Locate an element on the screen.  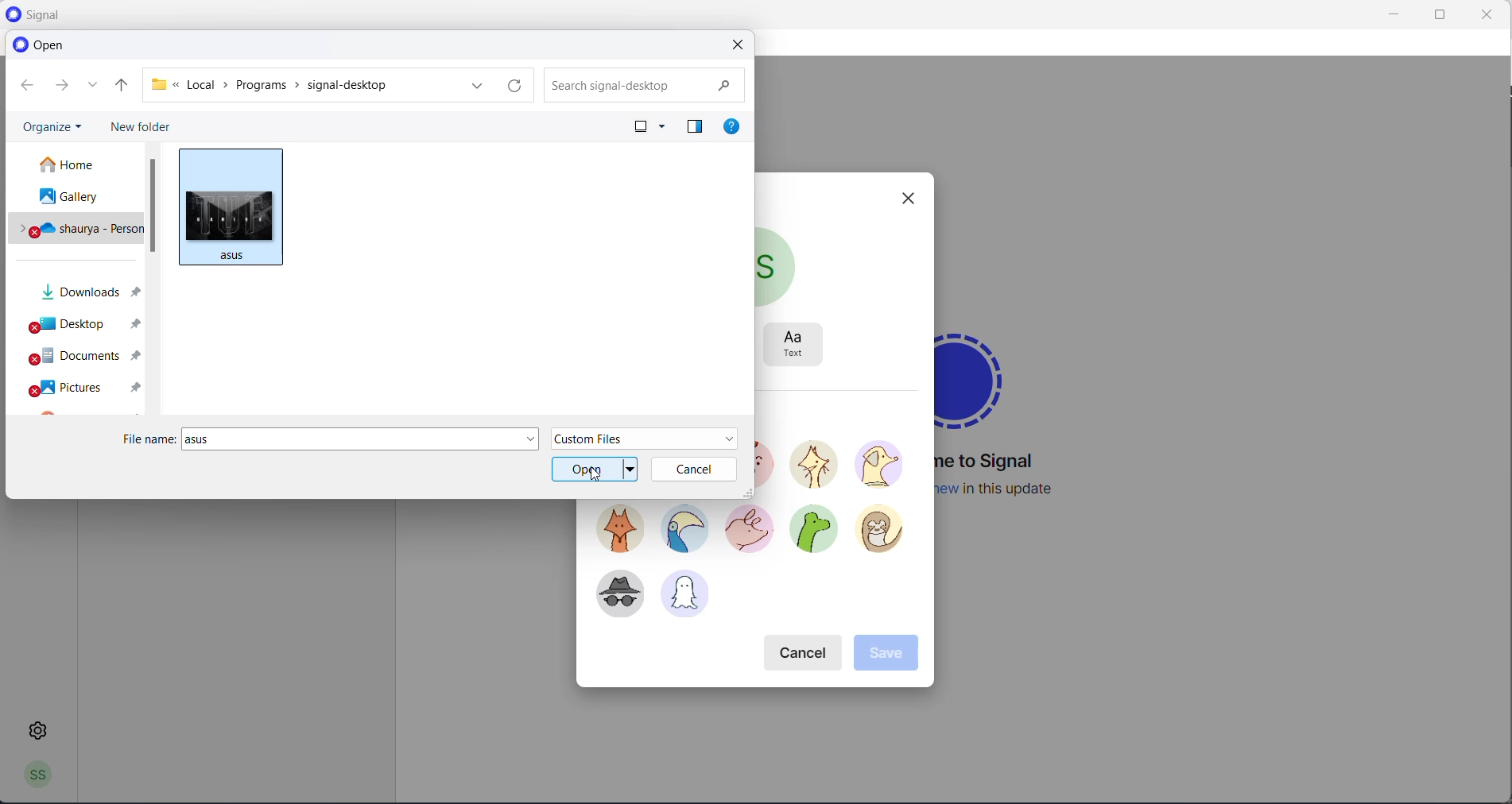
picture is located at coordinates (237, 225).